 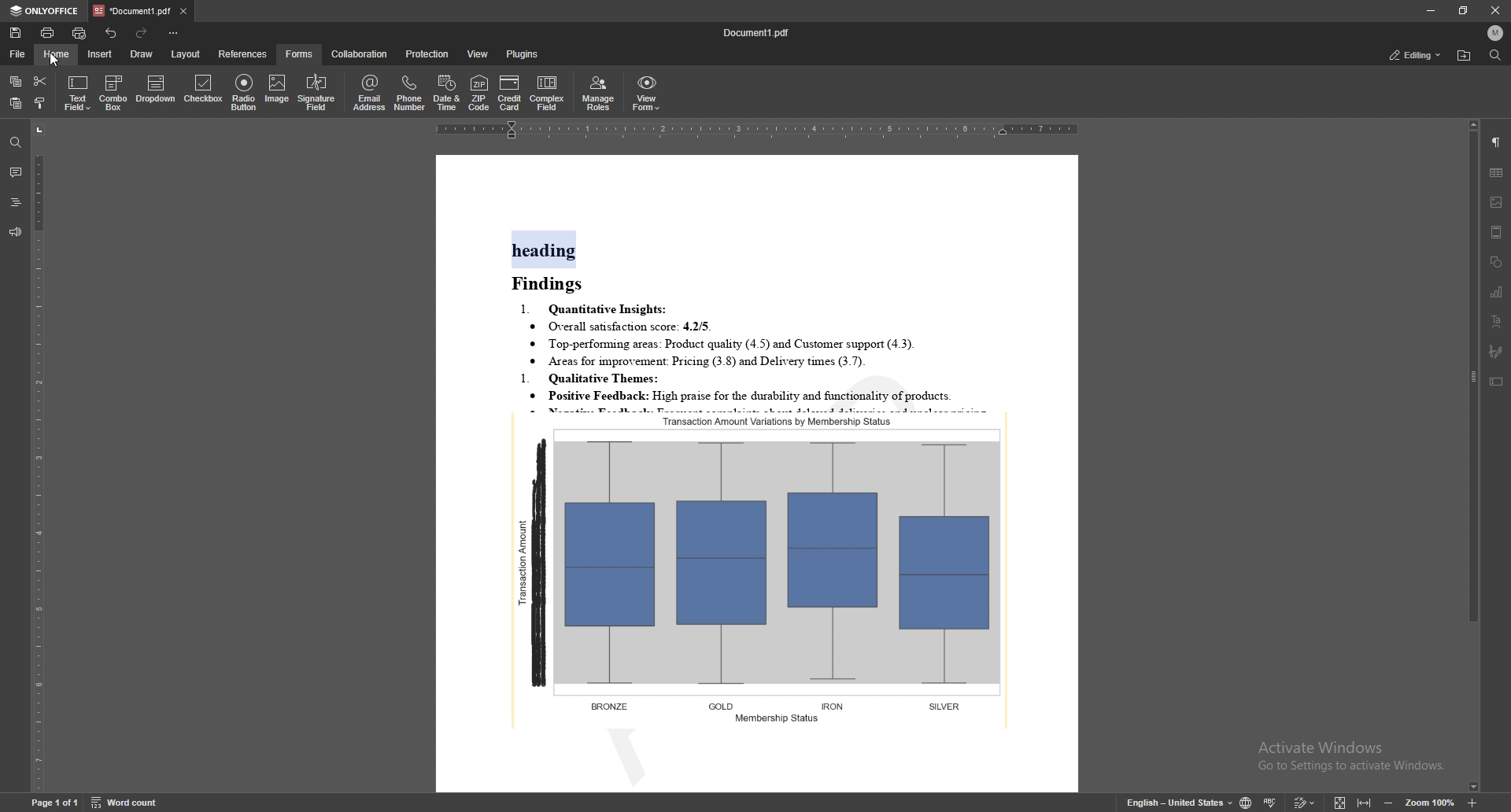 What do you see at coordinates (16, 103) in the screenshot?
I see `paste` at bounding box center [16, 103].